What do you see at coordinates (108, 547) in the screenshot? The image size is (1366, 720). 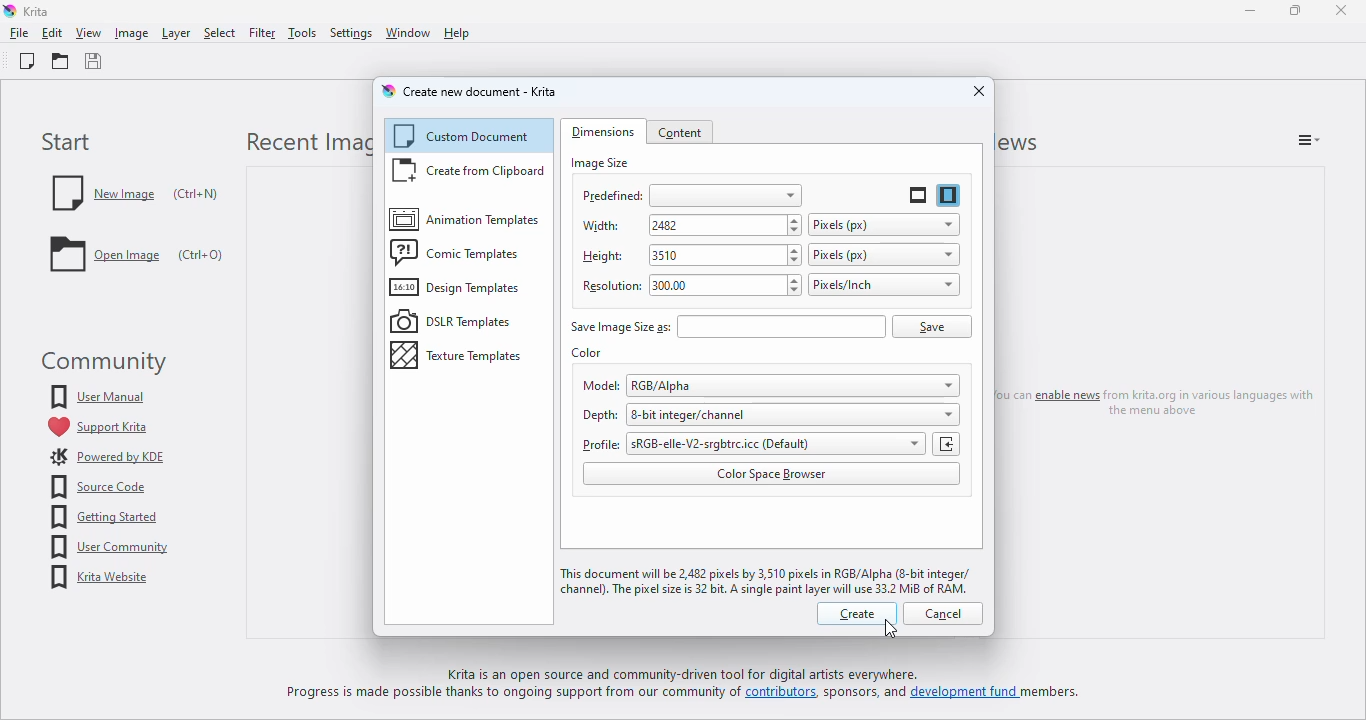 I see `user community` at bounding box center [108, 547].